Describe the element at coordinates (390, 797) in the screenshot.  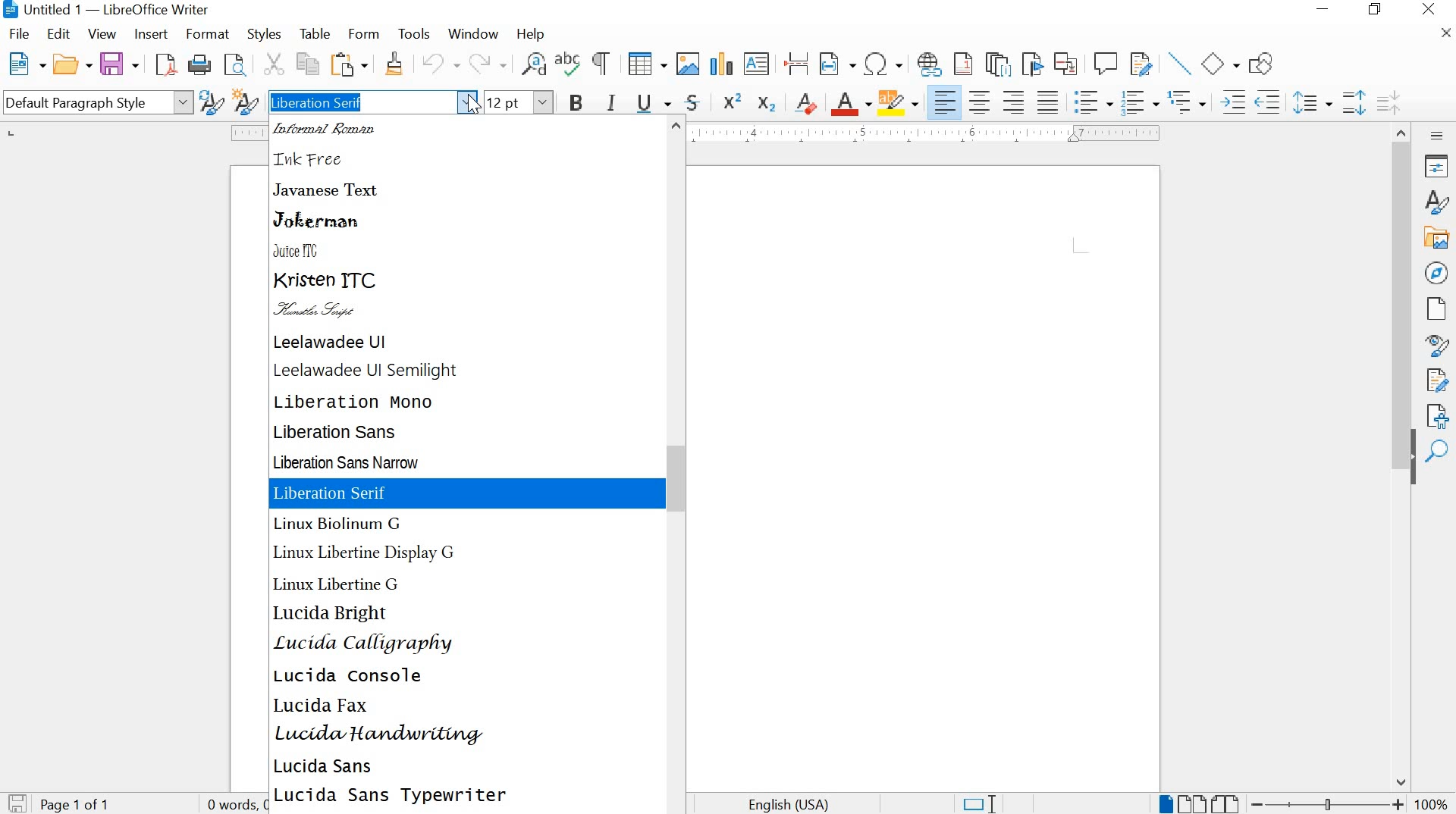
I see `LUCIDA SANS TYPEWRITE` at that location.